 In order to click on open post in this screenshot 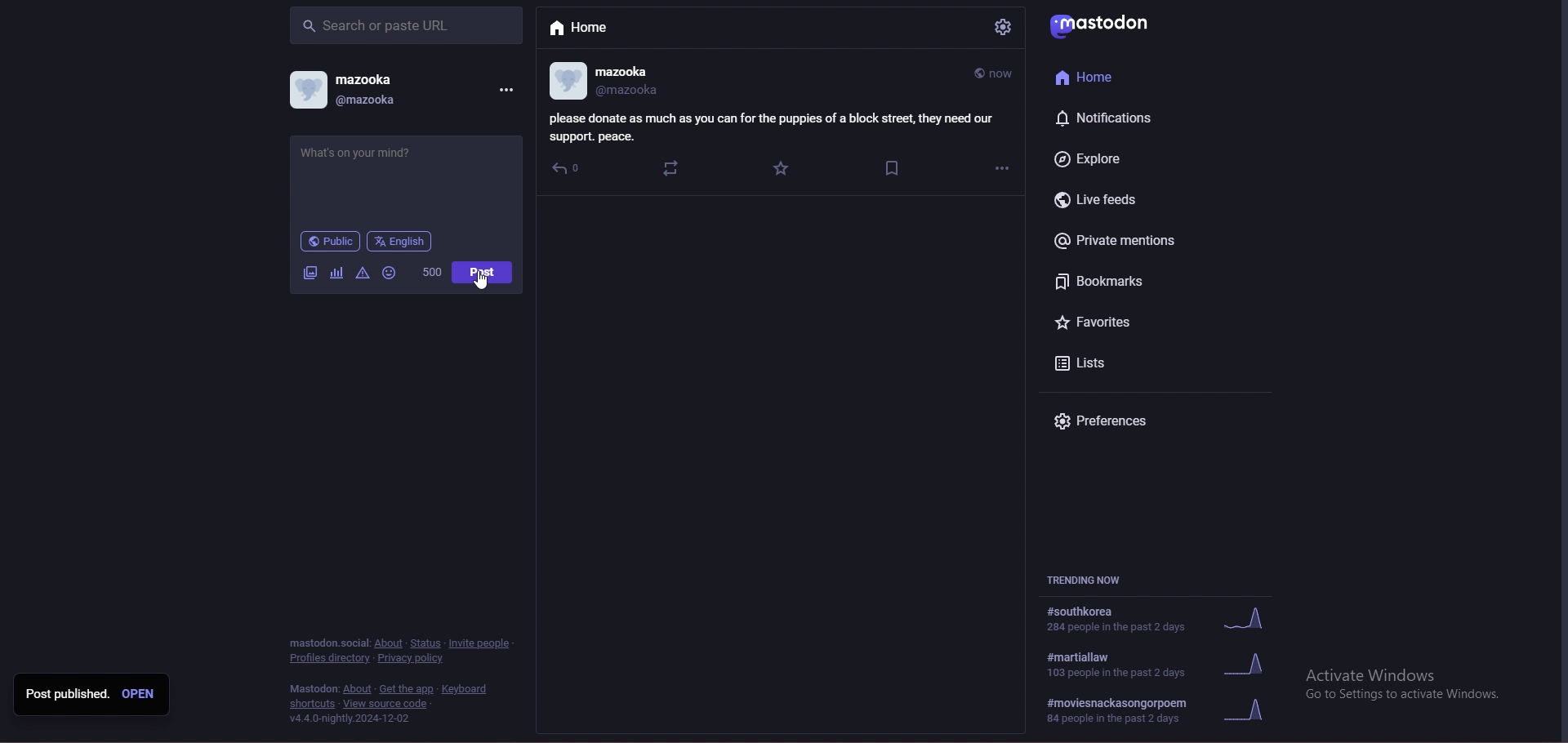, I will do `click(139, 694)`.